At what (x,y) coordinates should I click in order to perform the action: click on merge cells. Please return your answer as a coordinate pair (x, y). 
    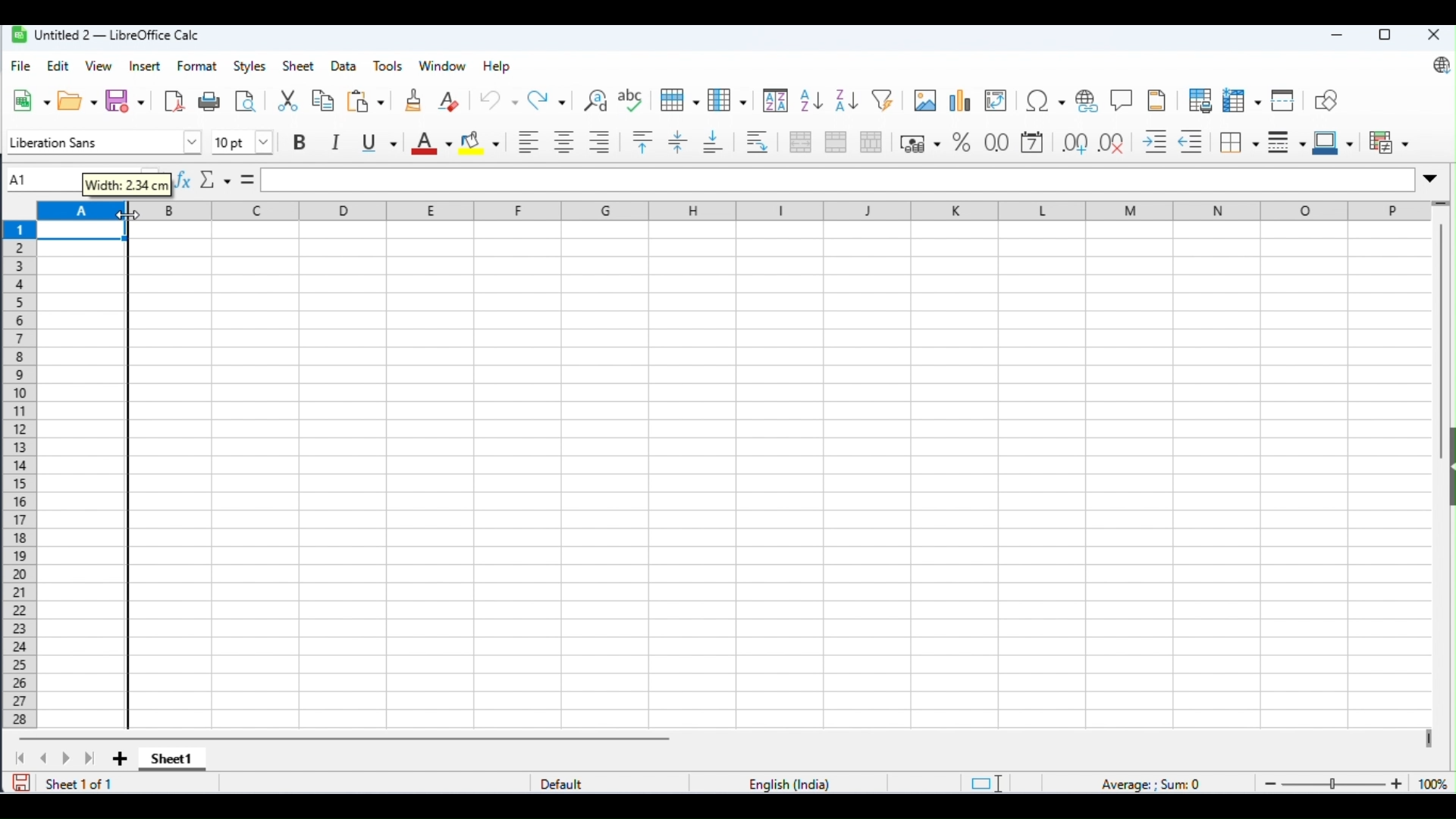
    Looking at the image, I should click on (836, 140).